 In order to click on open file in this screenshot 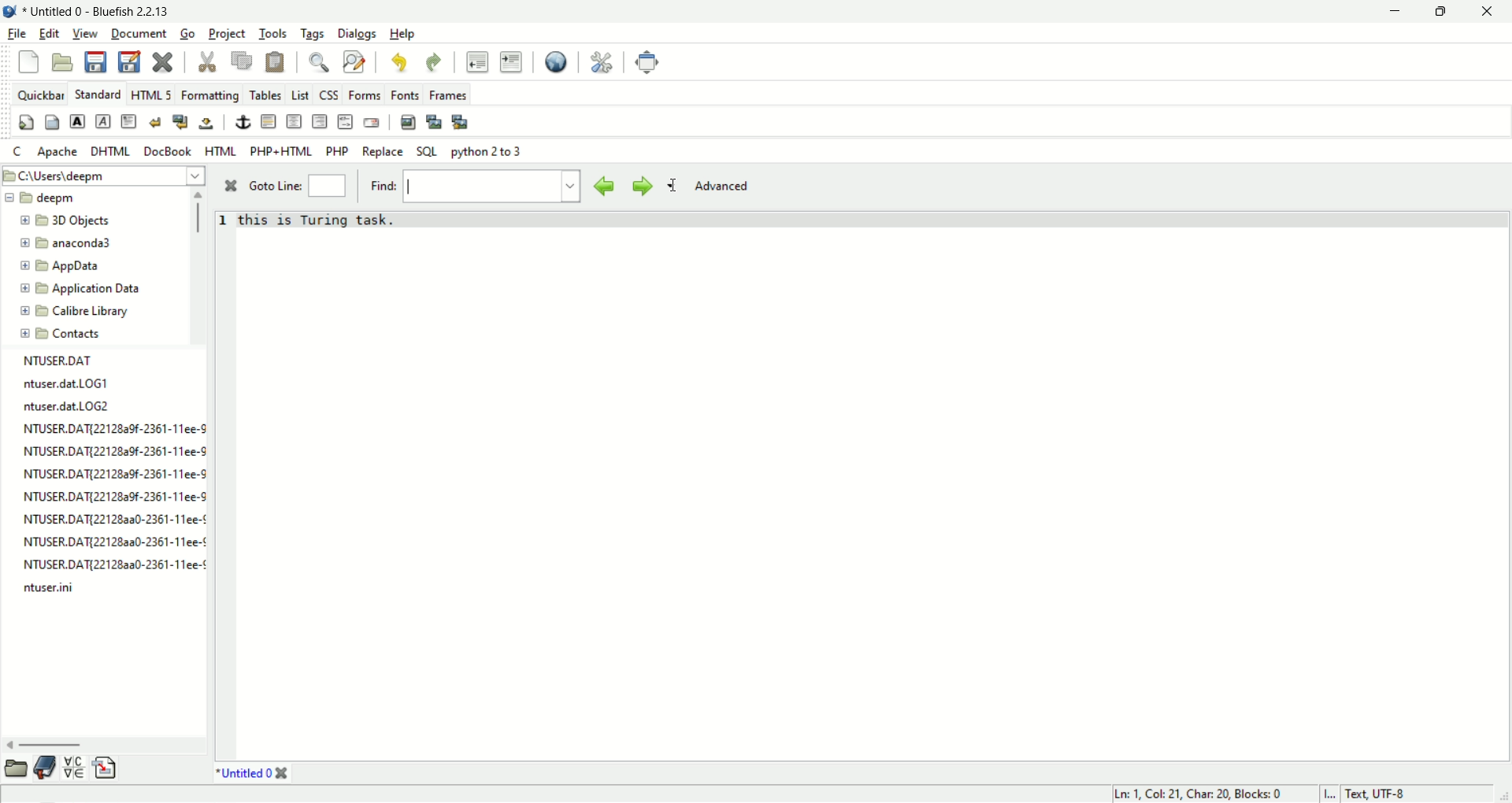, I will do `click(63, 63)`.